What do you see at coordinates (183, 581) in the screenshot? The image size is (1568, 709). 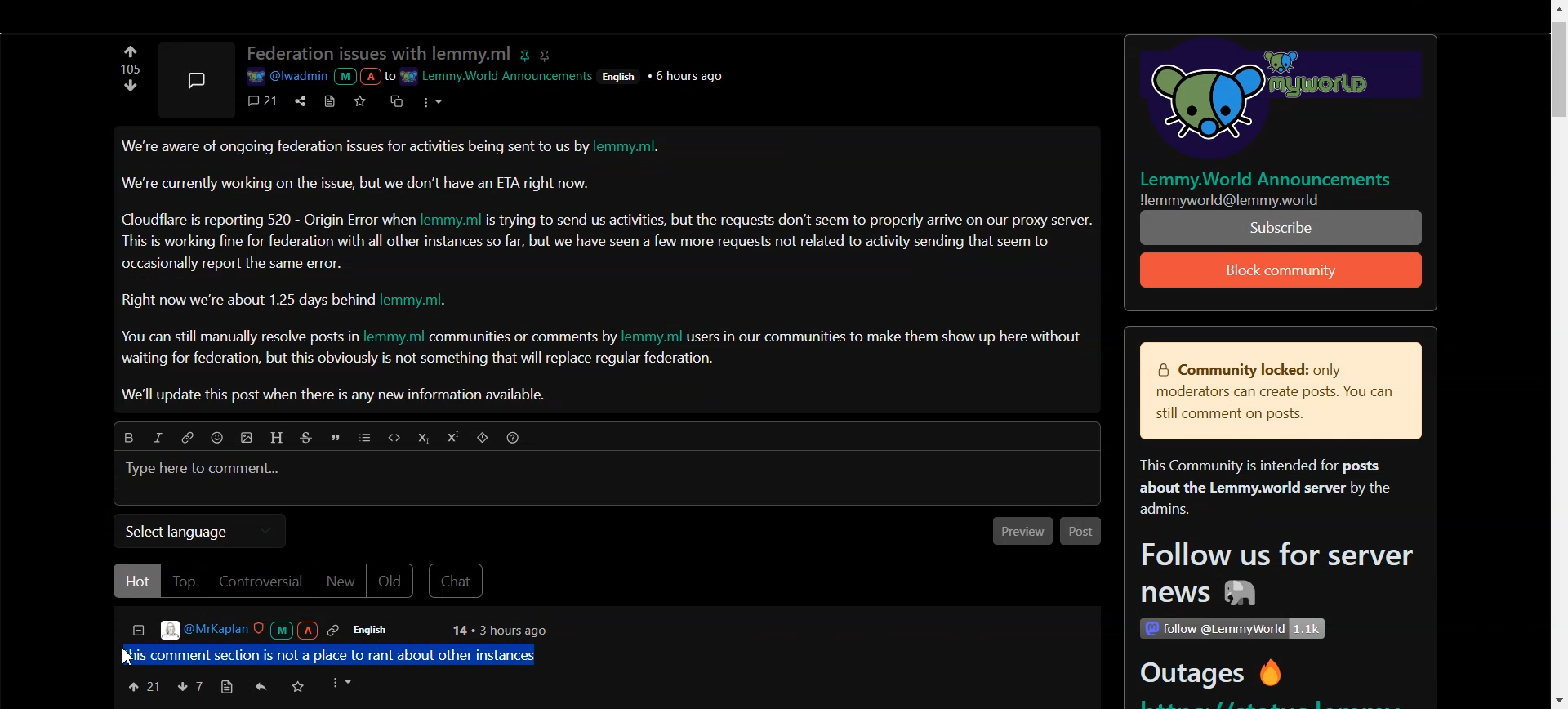 I see `Top` at bounding box center [183, 581].